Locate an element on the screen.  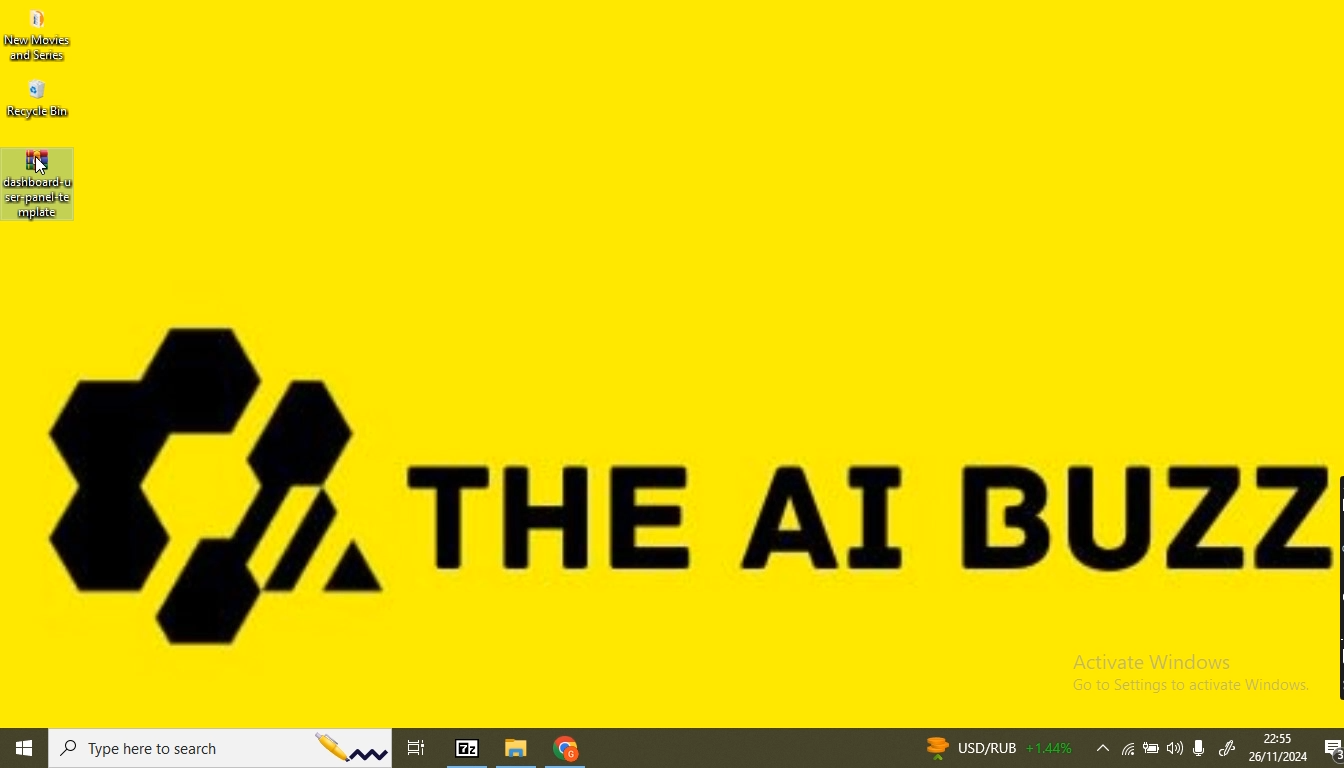
search bar is located at coordinates (223, 749).